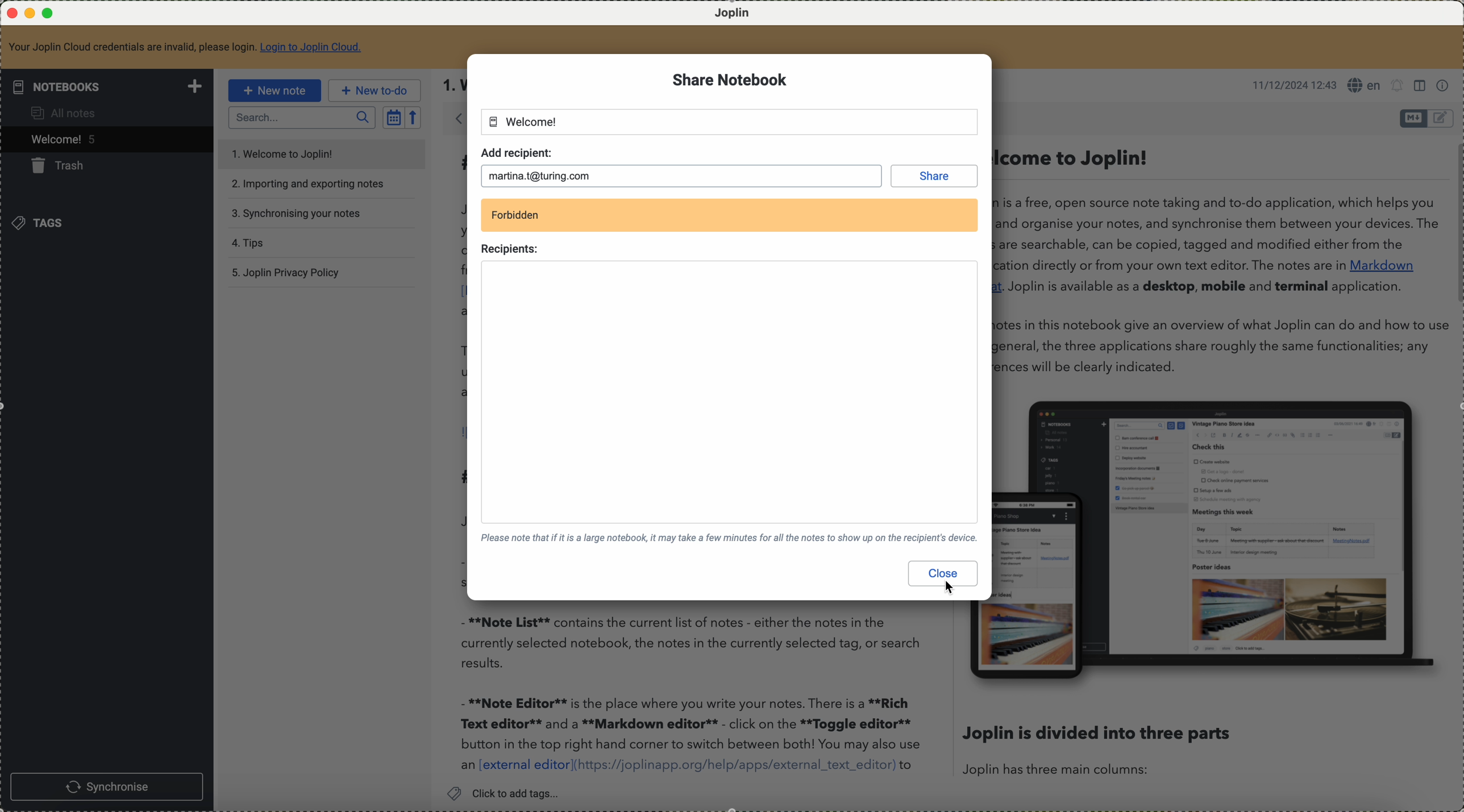 Image resolution: width=1464 pixels, height=812 pixels. What do you see at coordinates (1455, 225) in the screenshot?
I see `scroll bar` at bounding box center [1455, 225].